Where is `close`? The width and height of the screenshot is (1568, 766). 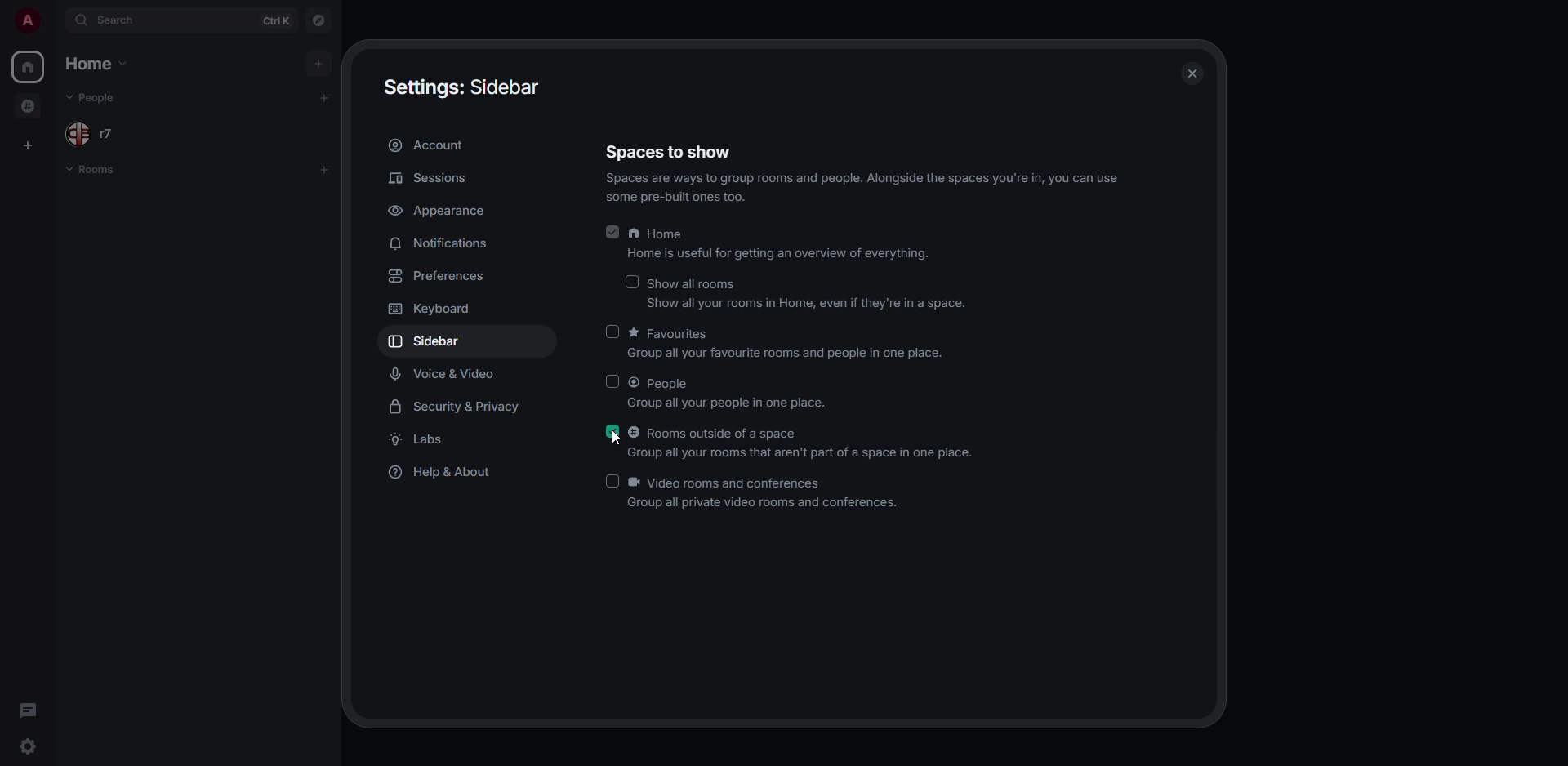 close is located at coordinates (1192, 73).